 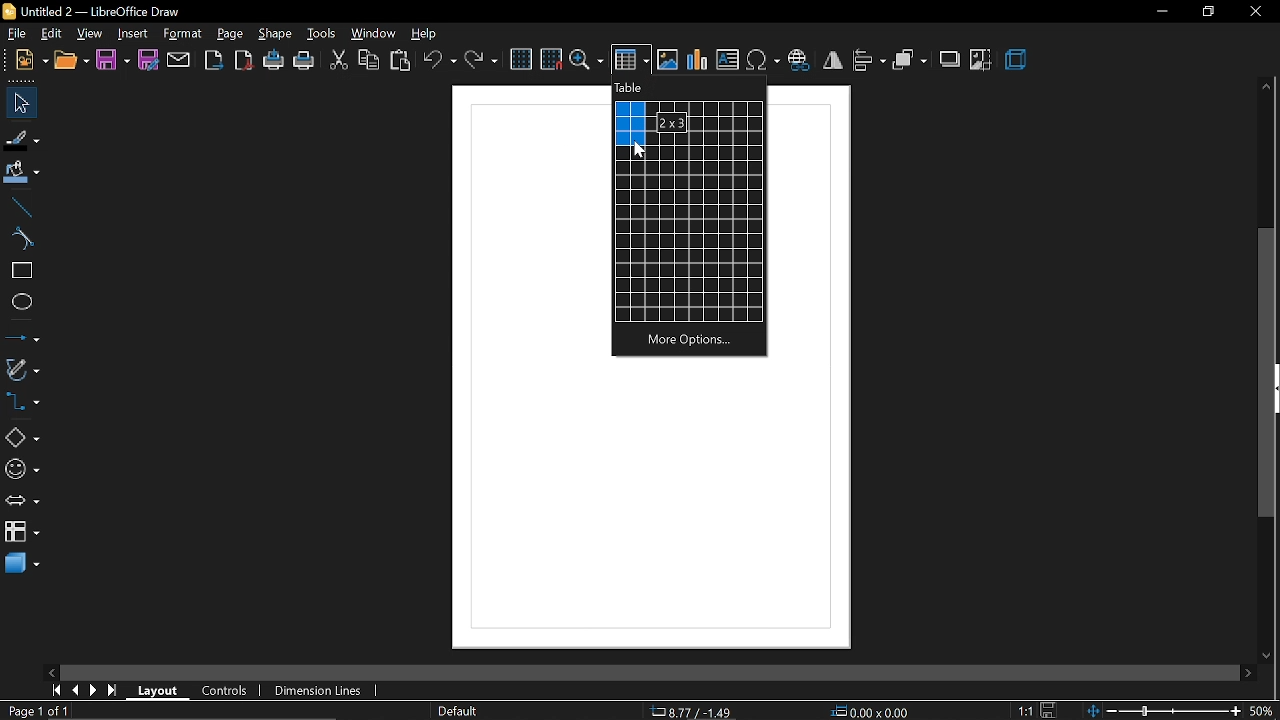 I want to click on basic shapes, so click(x=22, y=438).